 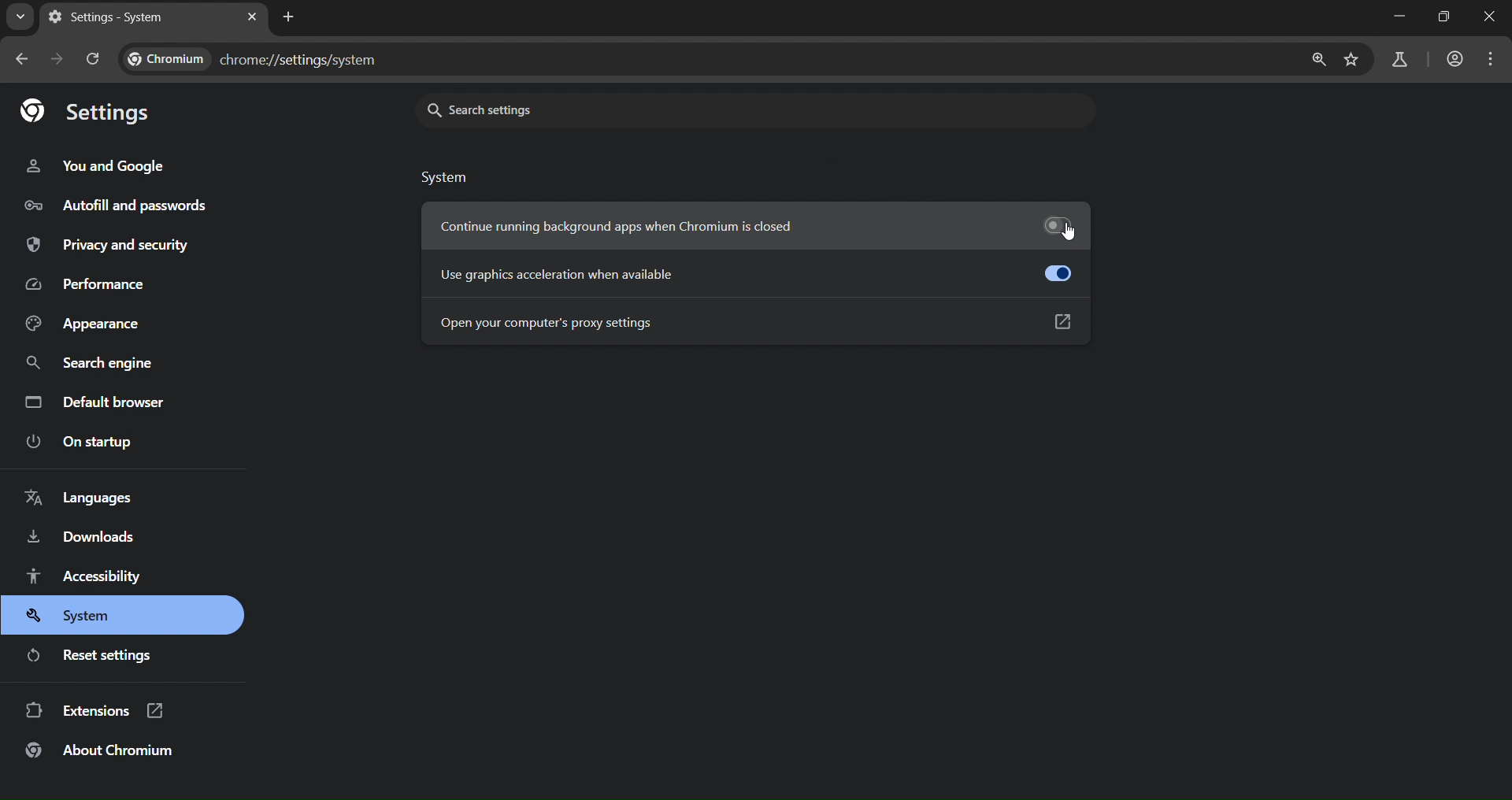 What do you see at coordinates (115, 207) in the screenshot?
I see `autofill and passwords` at bounding box center [115, 207].